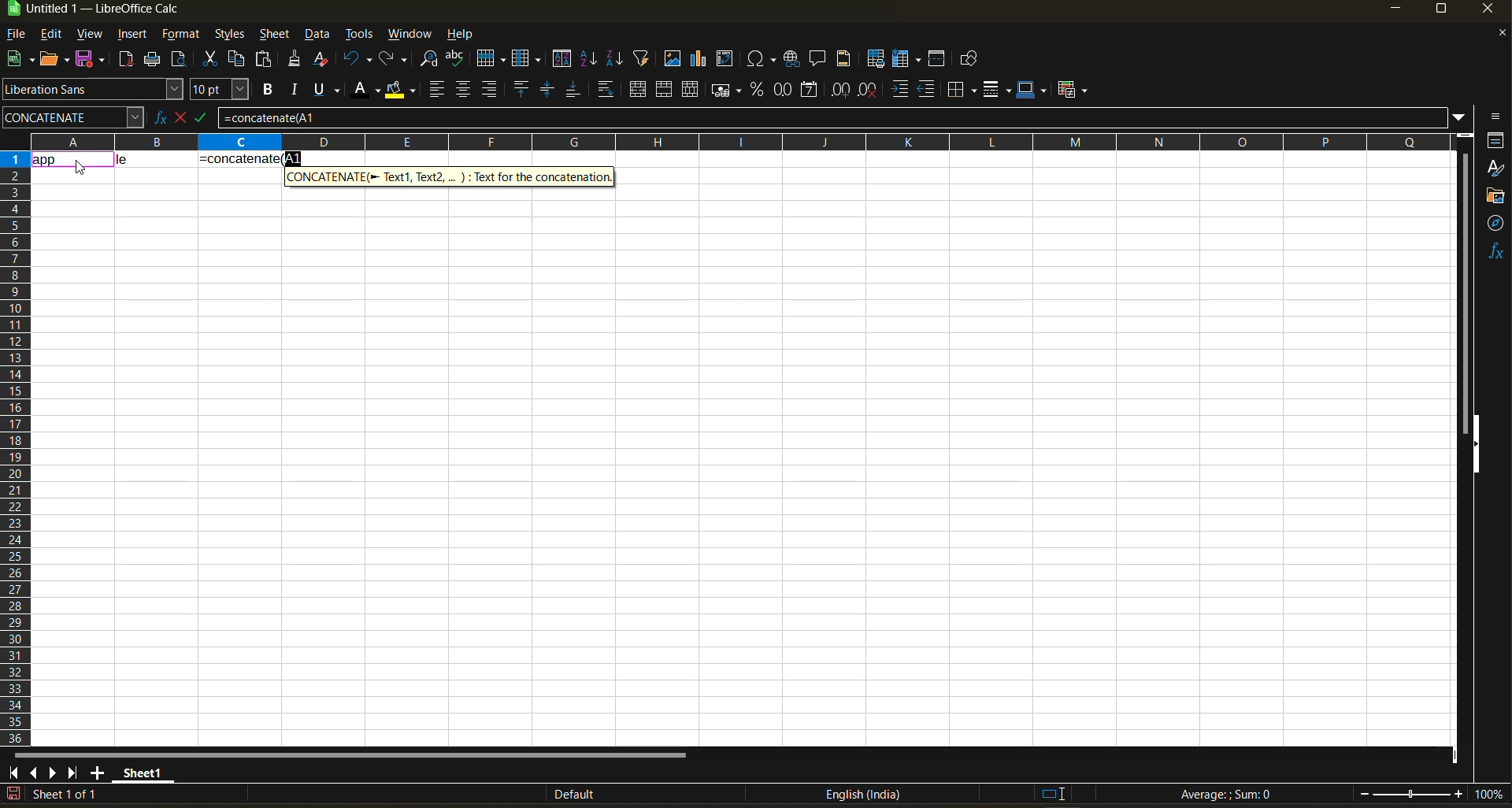 The height and width of the screenshot is (808, 1512). I want to click on sheet, so click(274, 34).